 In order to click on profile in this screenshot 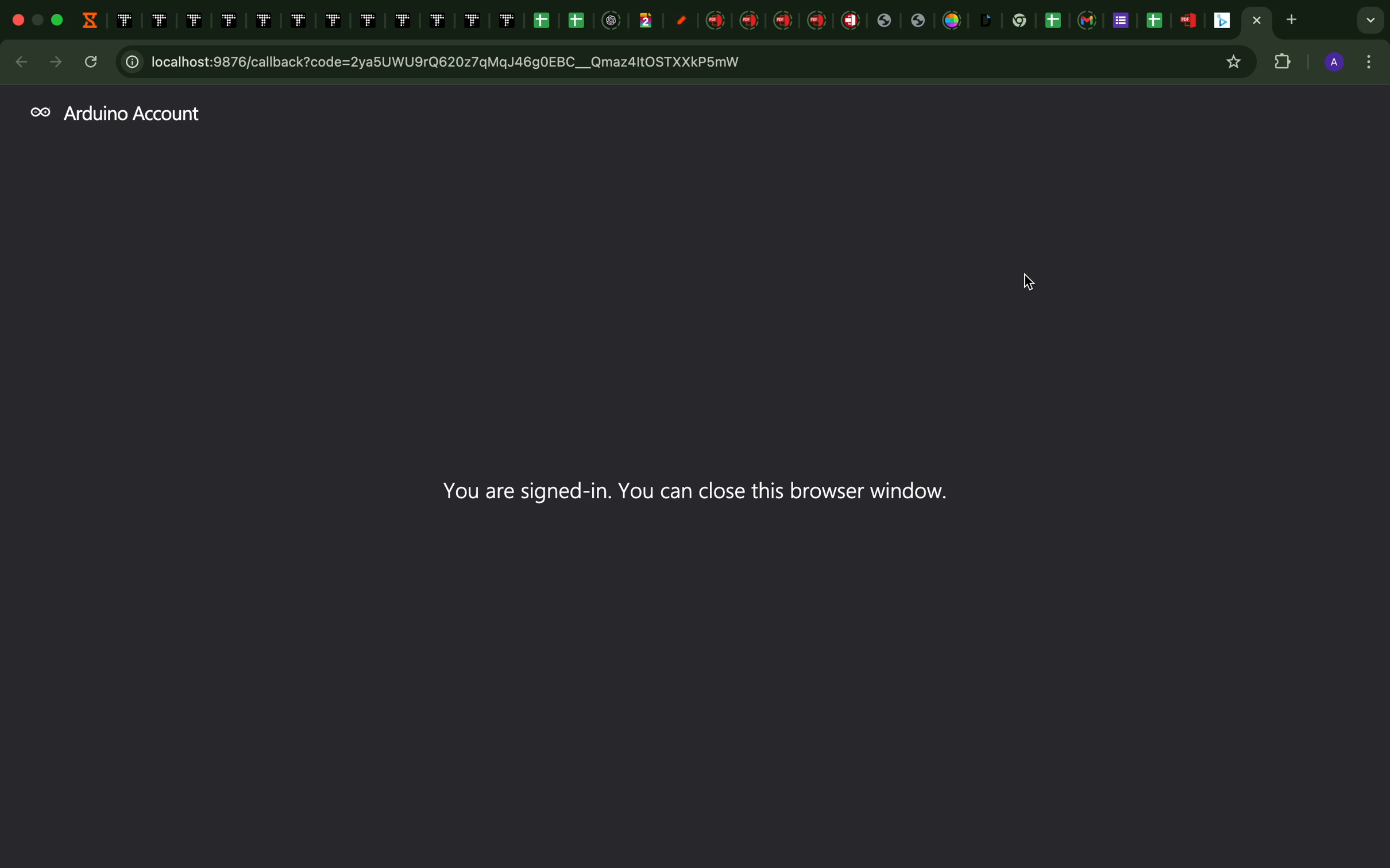, I will do `click(1334, 64)`.